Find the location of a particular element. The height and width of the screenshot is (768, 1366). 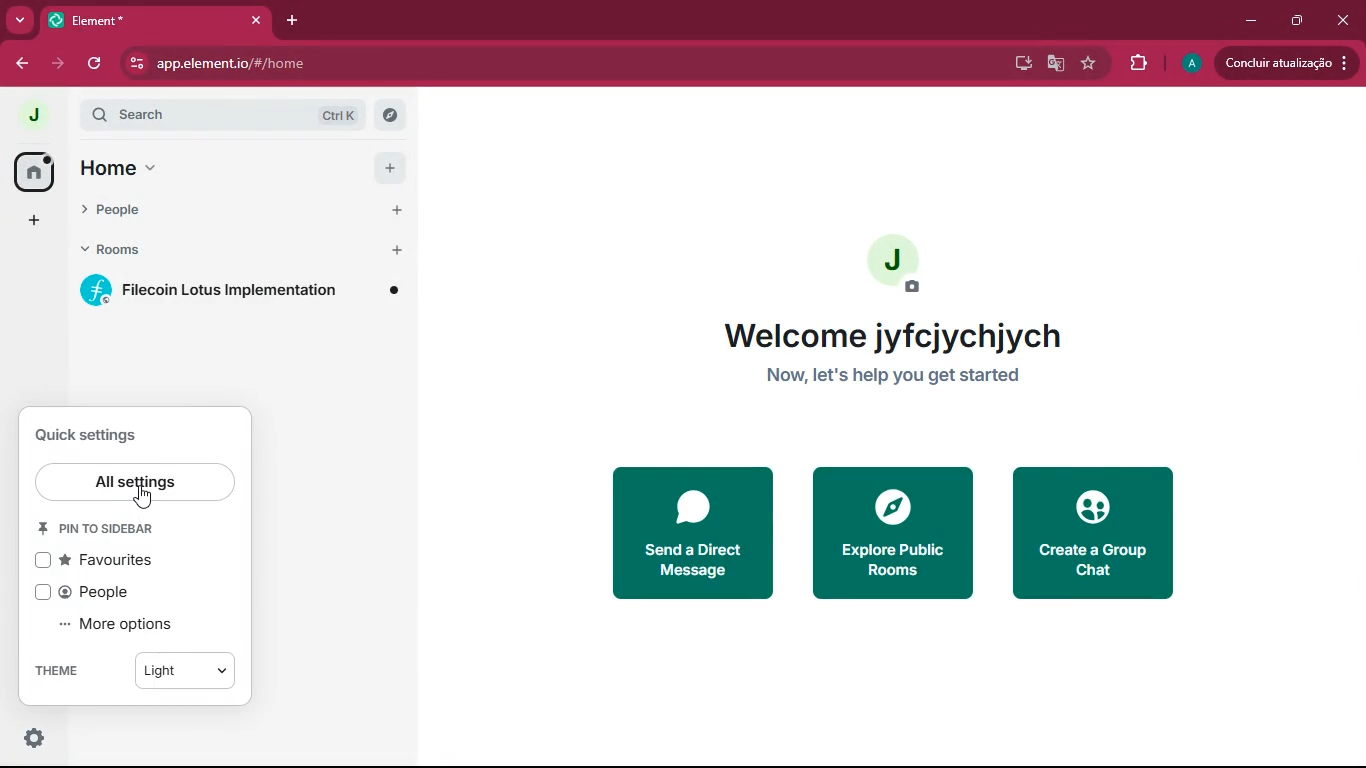

Now, let's help you get started is located at coordinates (907, 376).